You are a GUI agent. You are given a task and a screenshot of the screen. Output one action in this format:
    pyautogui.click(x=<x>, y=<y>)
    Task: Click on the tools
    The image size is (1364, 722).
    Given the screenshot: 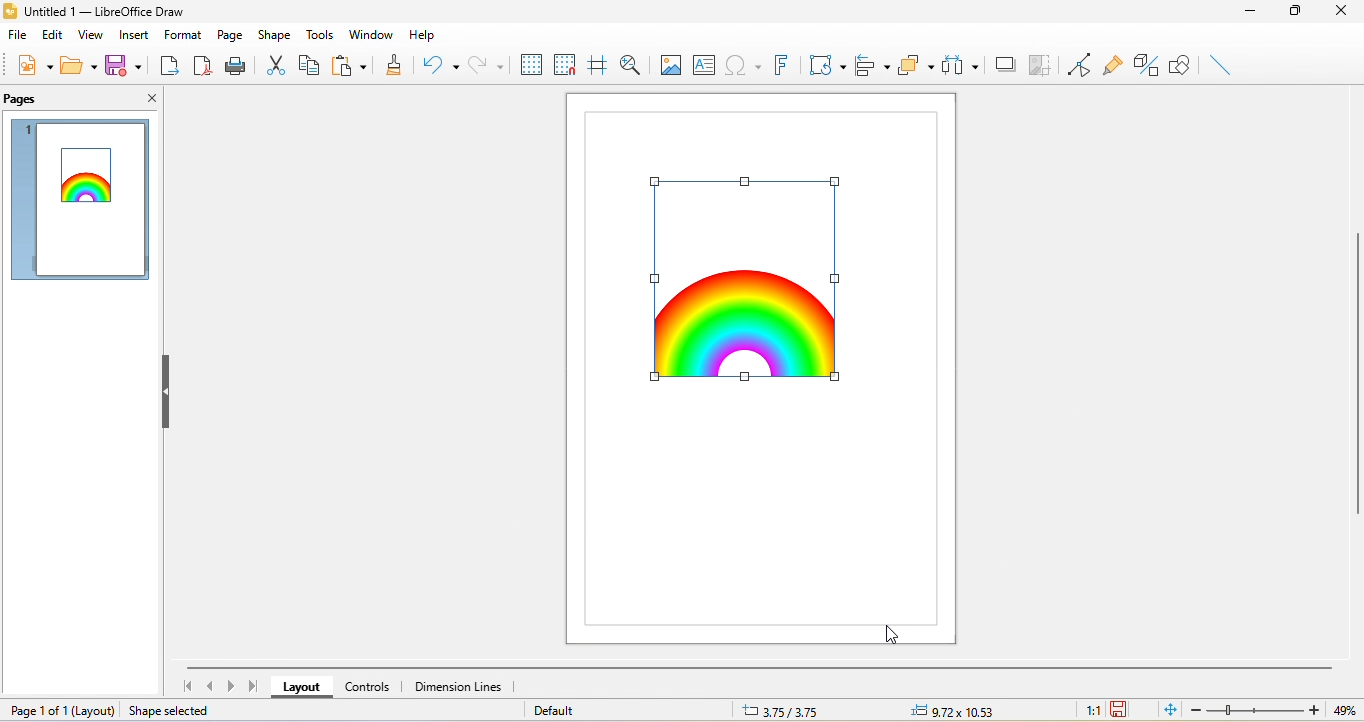 What is the action you would take?
    pyautogui.click(x=323, y=33)
    